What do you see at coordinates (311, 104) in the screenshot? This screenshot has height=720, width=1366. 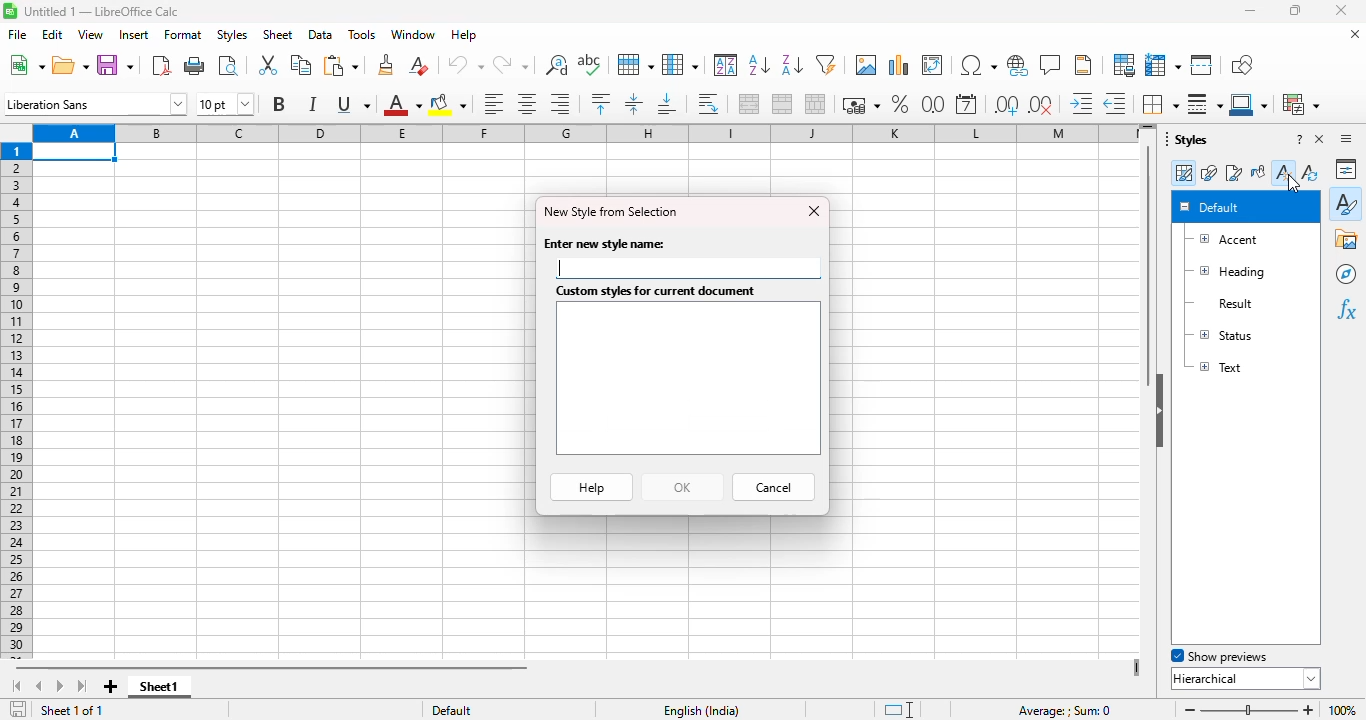 I see `italic` at bounding box center [311, 104].